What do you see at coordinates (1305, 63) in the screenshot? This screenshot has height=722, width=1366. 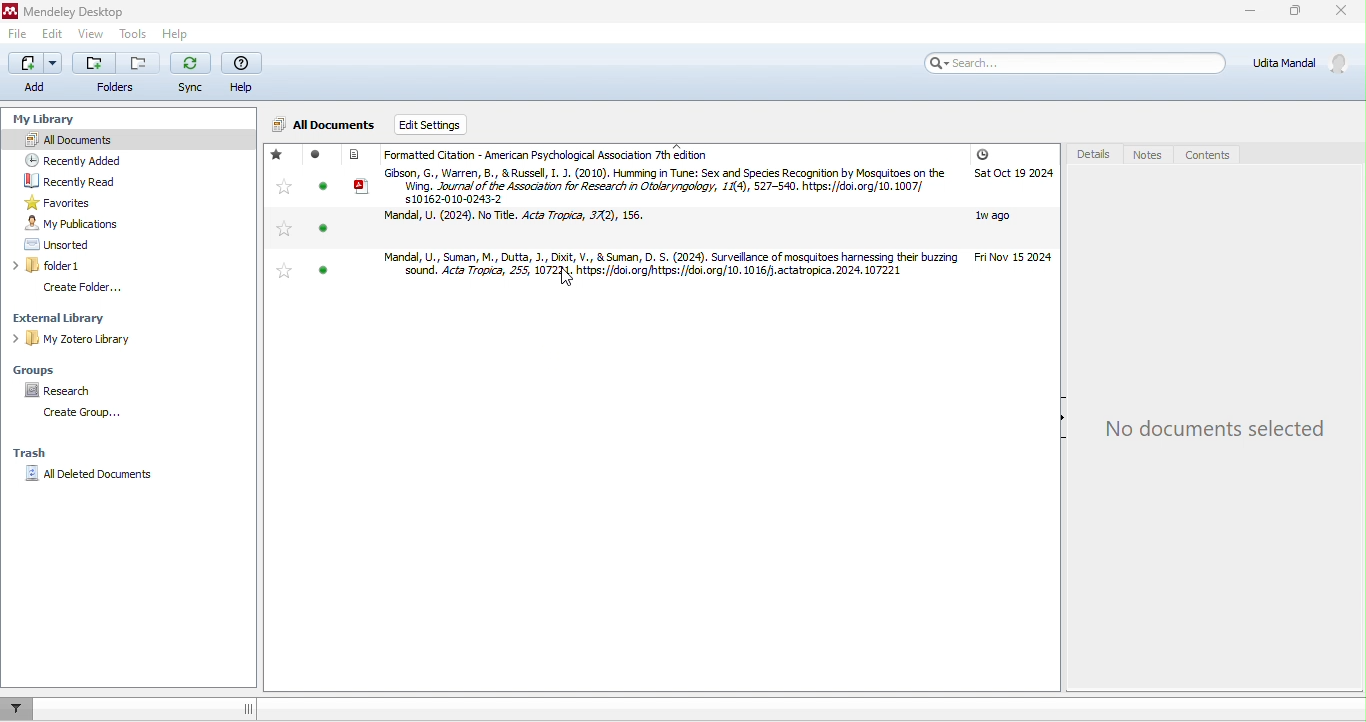 I see `Udita Mandal` at bounding box center [1305, 63].